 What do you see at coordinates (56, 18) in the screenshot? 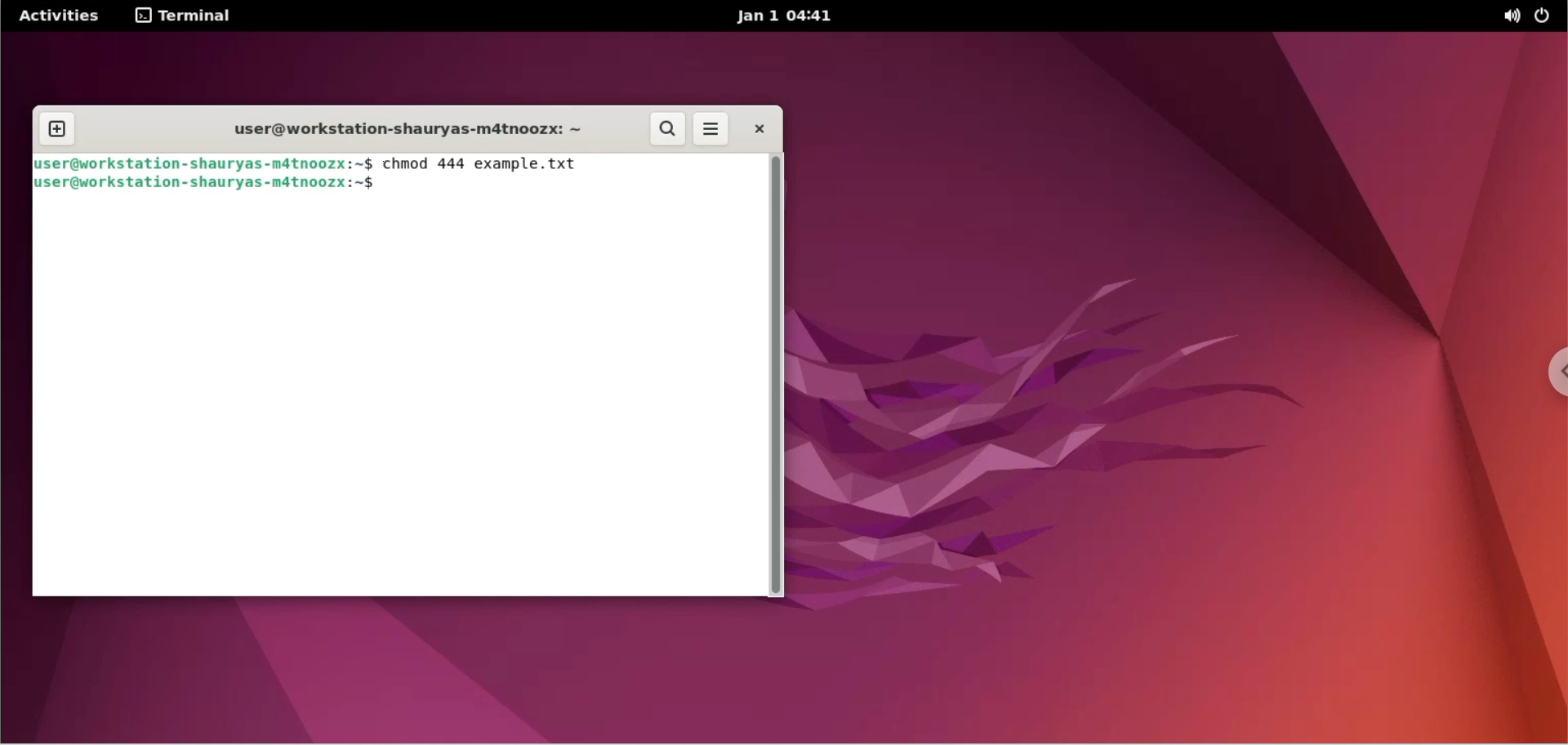
I see `Activities` at bounding box center [56, 18].